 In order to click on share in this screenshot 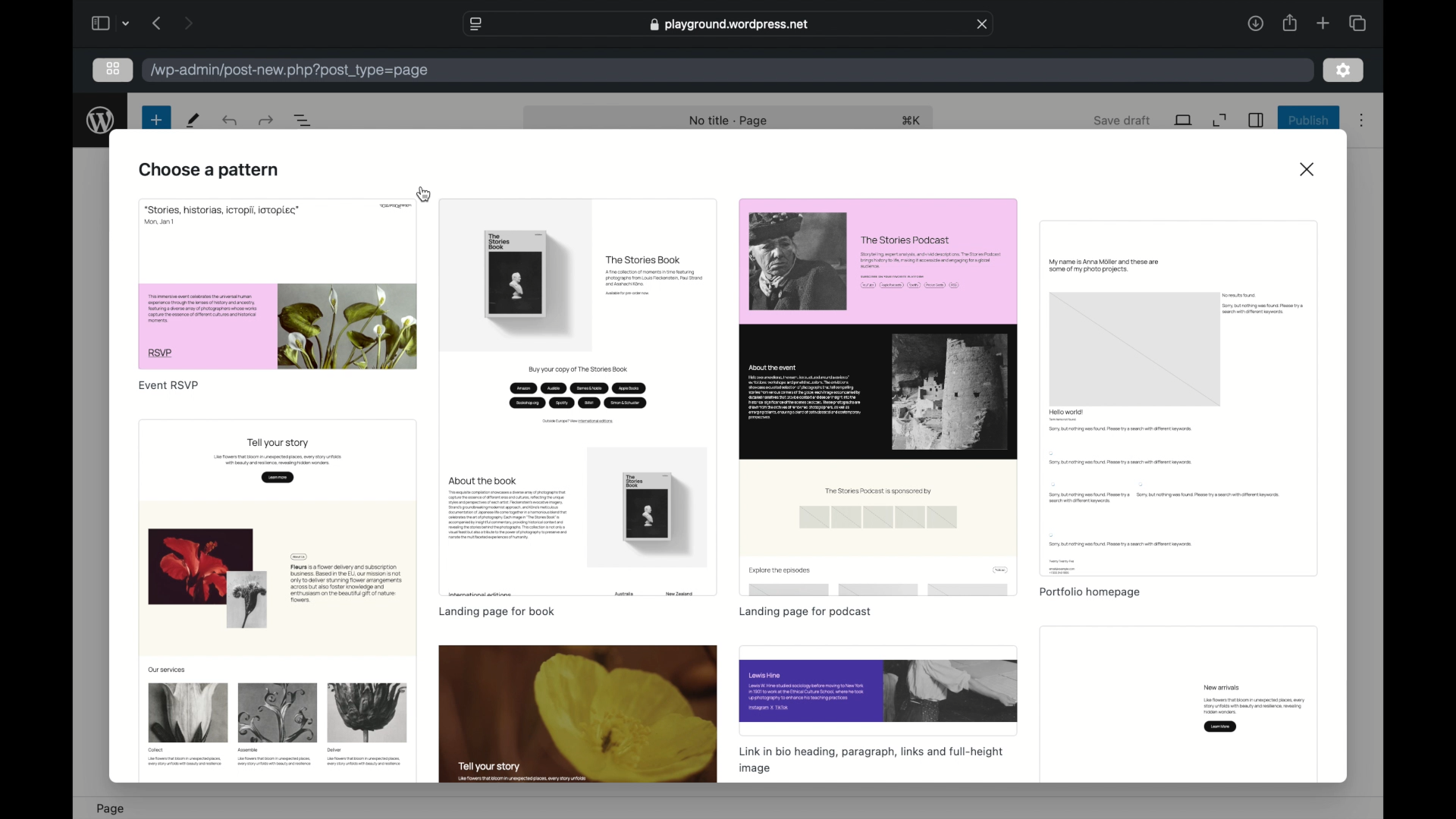, I will do `click(1288, 22)`.